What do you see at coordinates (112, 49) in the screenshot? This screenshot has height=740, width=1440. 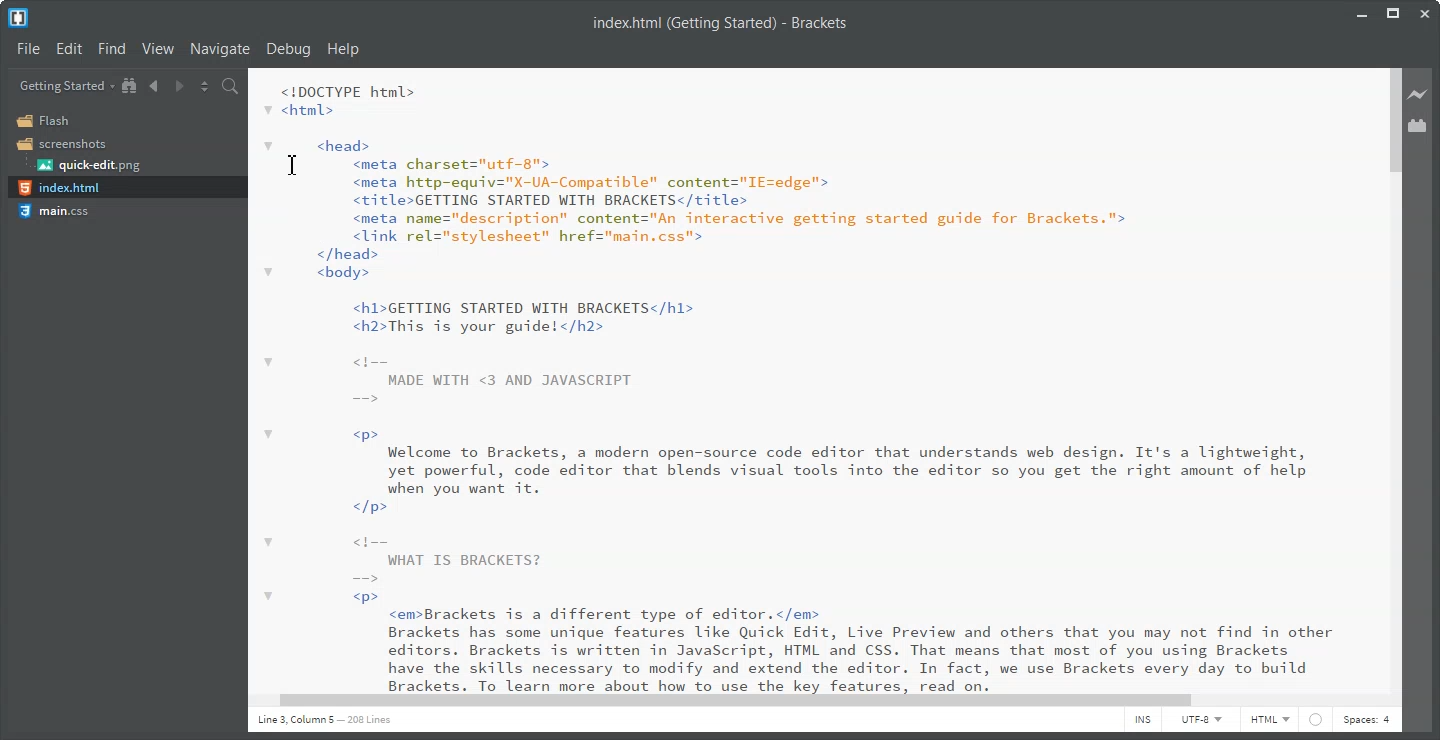 I see `Find` at bounding box center [112, 49].